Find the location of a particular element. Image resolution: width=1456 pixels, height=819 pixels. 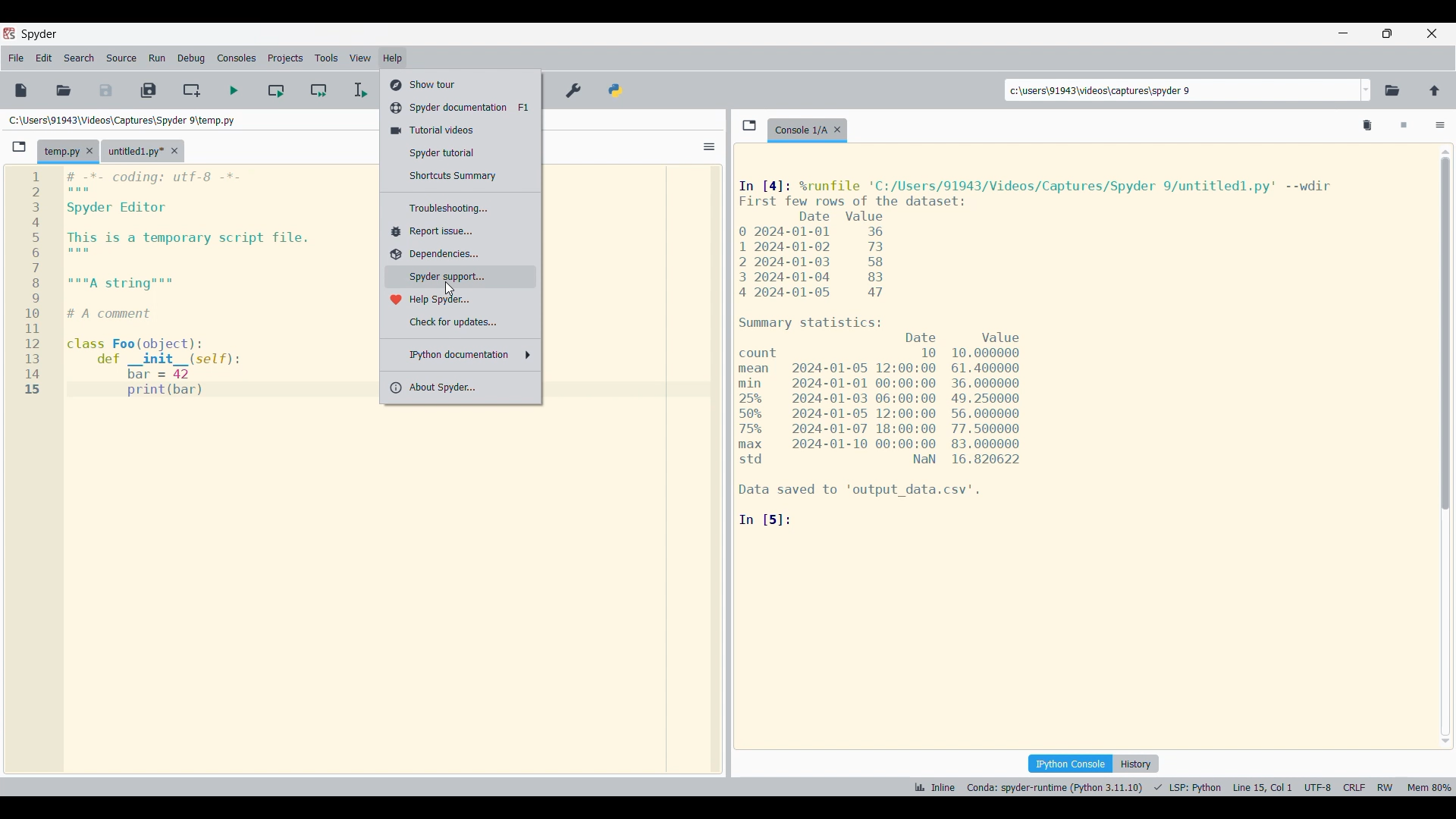

Debug file is located at coordinates (359, 90).